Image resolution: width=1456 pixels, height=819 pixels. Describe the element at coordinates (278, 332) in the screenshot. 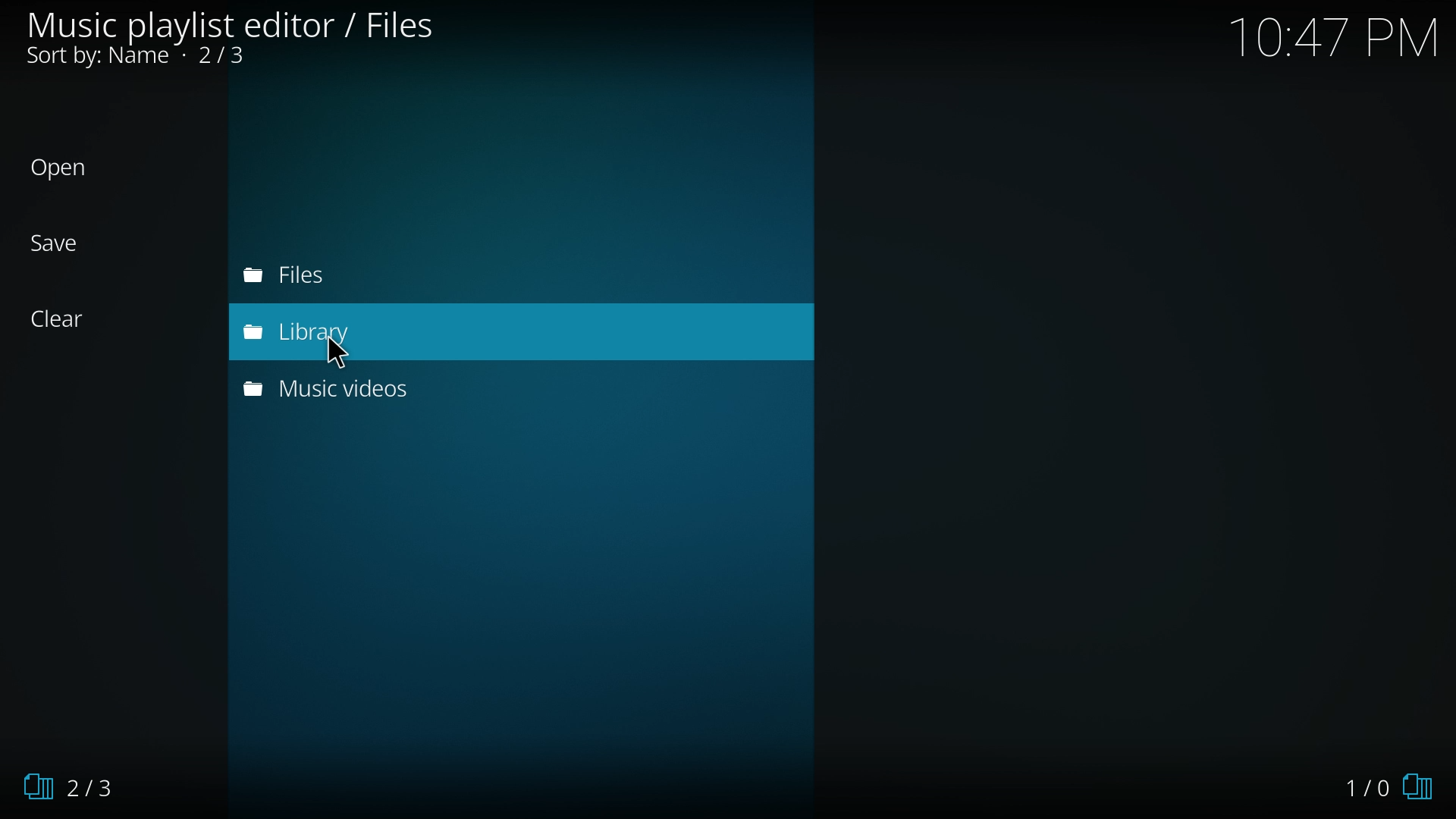

I see `library` at that location.